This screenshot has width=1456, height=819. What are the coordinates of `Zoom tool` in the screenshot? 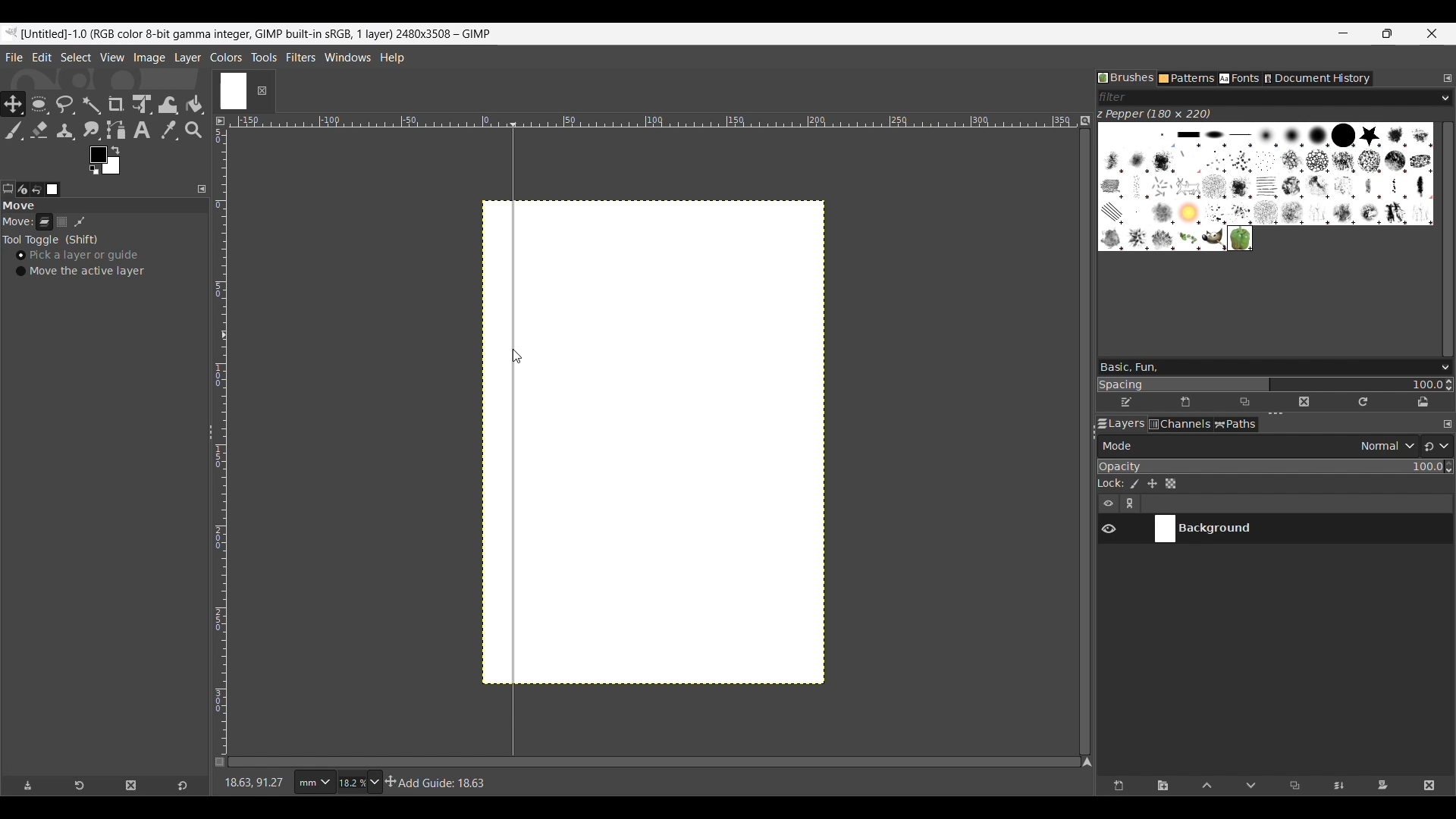 It's located at (195, 130).